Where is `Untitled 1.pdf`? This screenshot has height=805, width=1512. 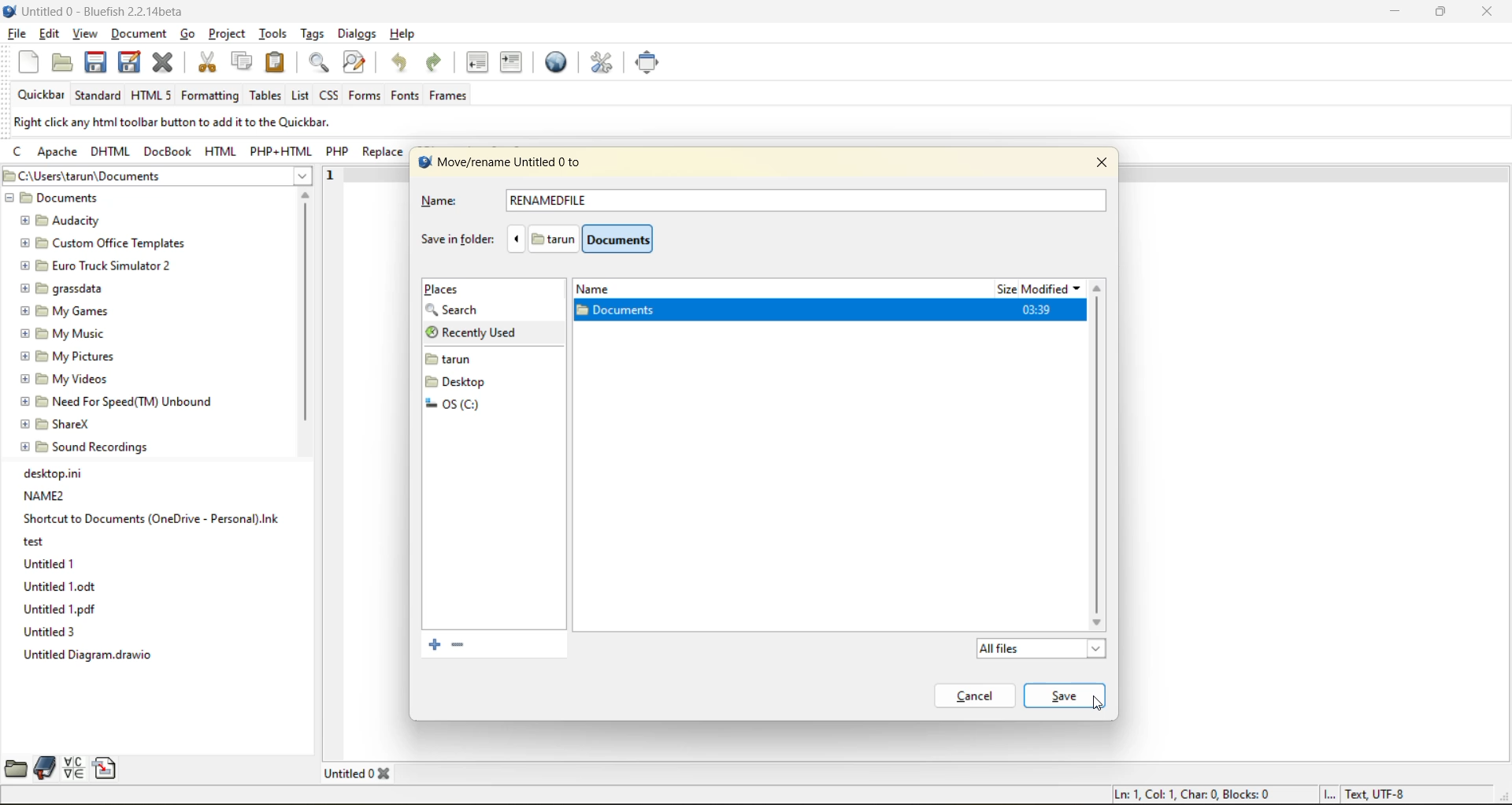
Untitled 1.pdf is located at coordinates (61, 610).